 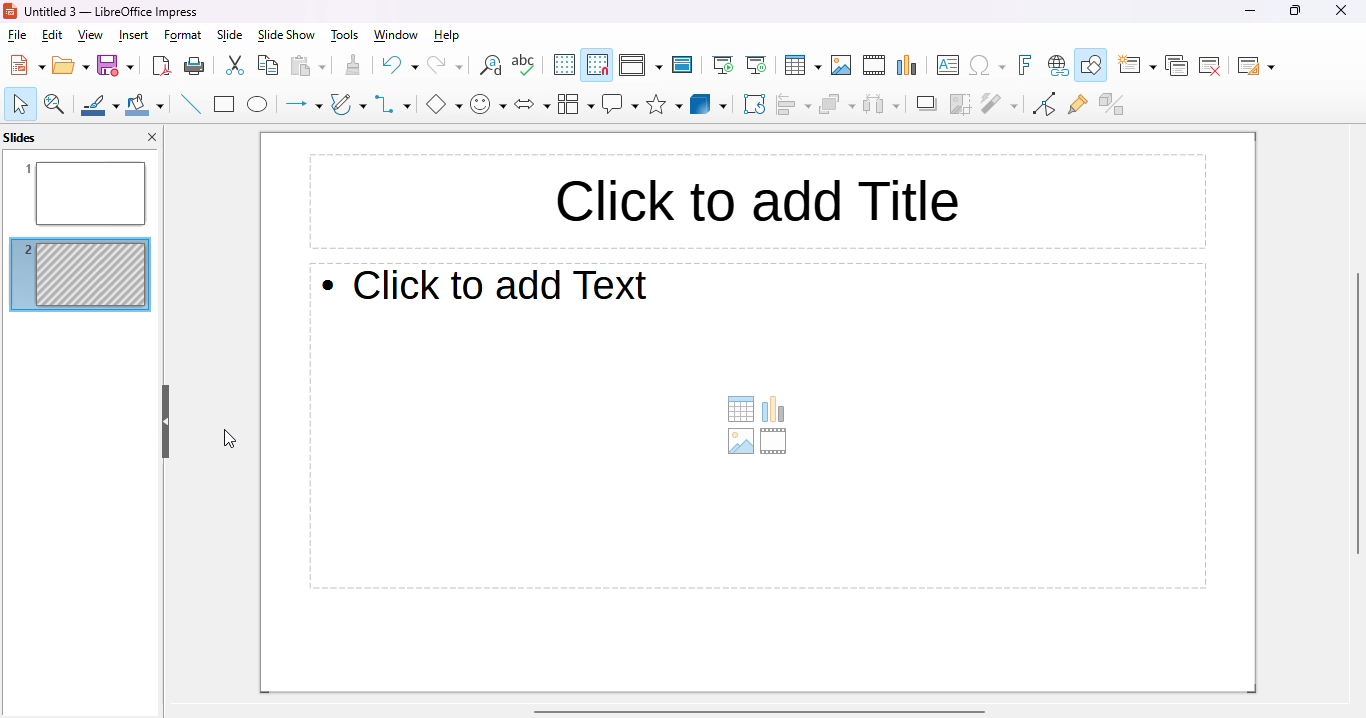 I want to click on logo, so click(x=10, y=11).